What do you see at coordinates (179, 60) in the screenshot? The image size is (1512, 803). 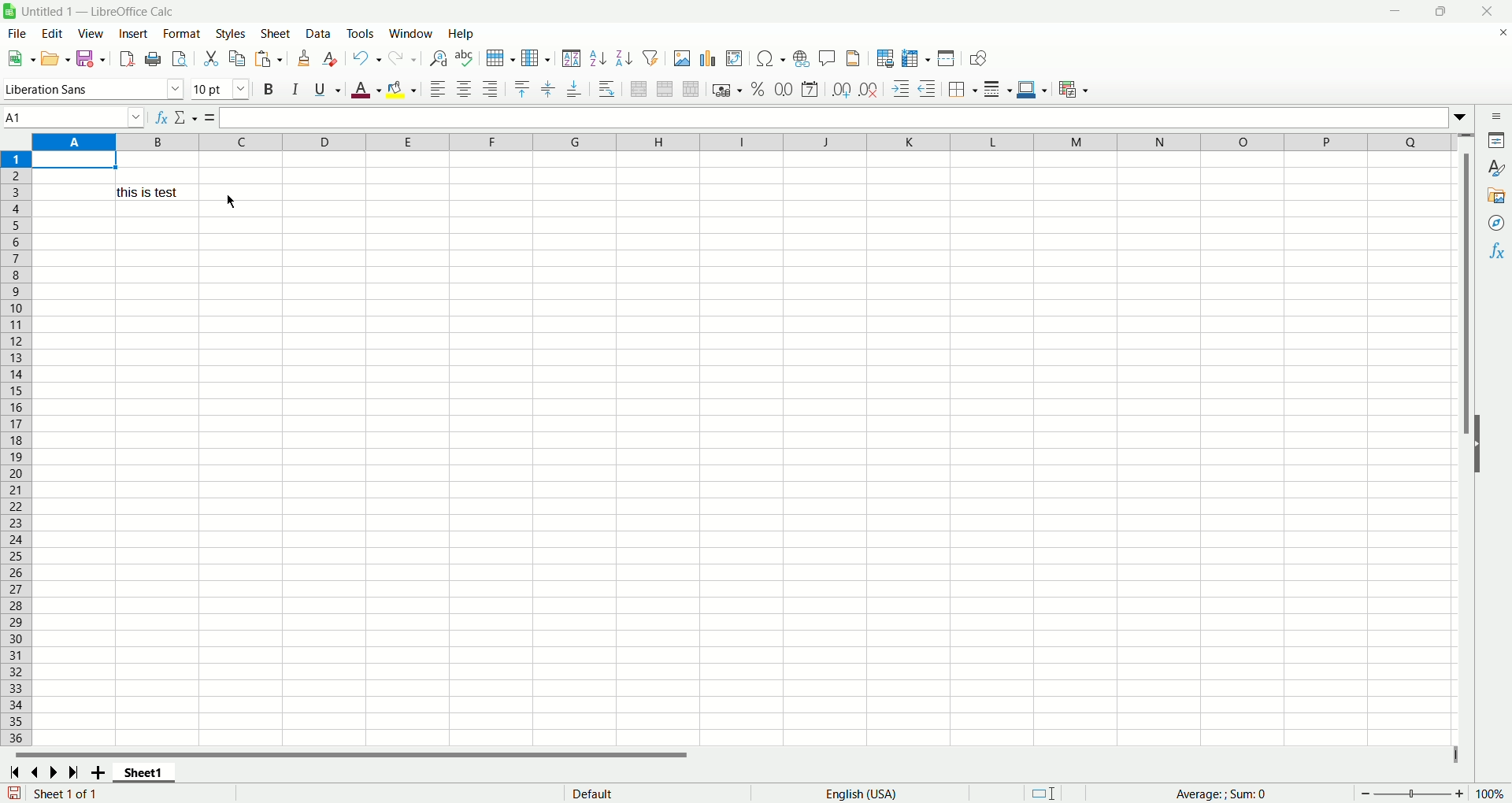 I see `print preview` at bounding box center [179, 60].